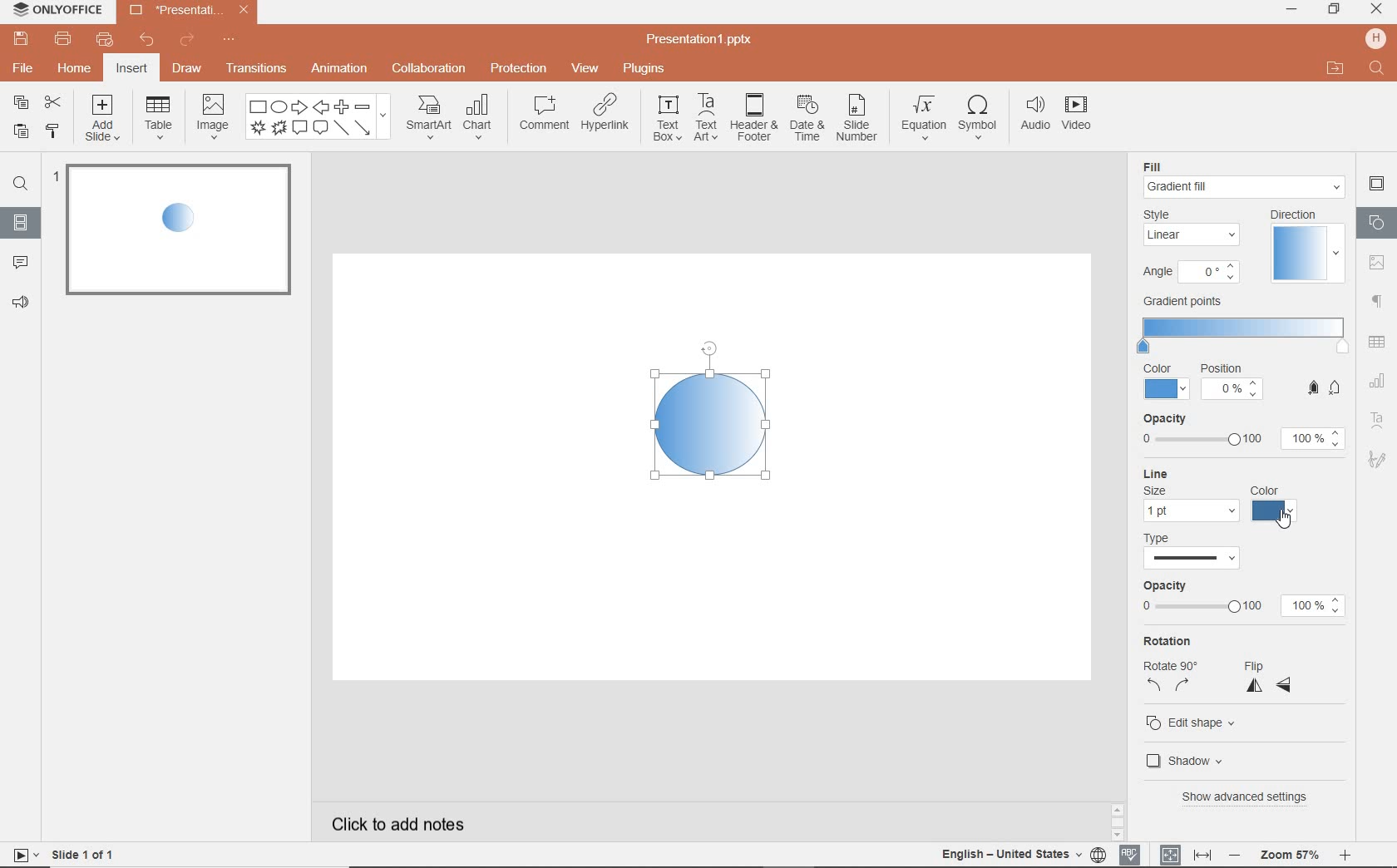 The width and height of the screenshot is (1397, 868). I want to click on file name, so click(700, 41).